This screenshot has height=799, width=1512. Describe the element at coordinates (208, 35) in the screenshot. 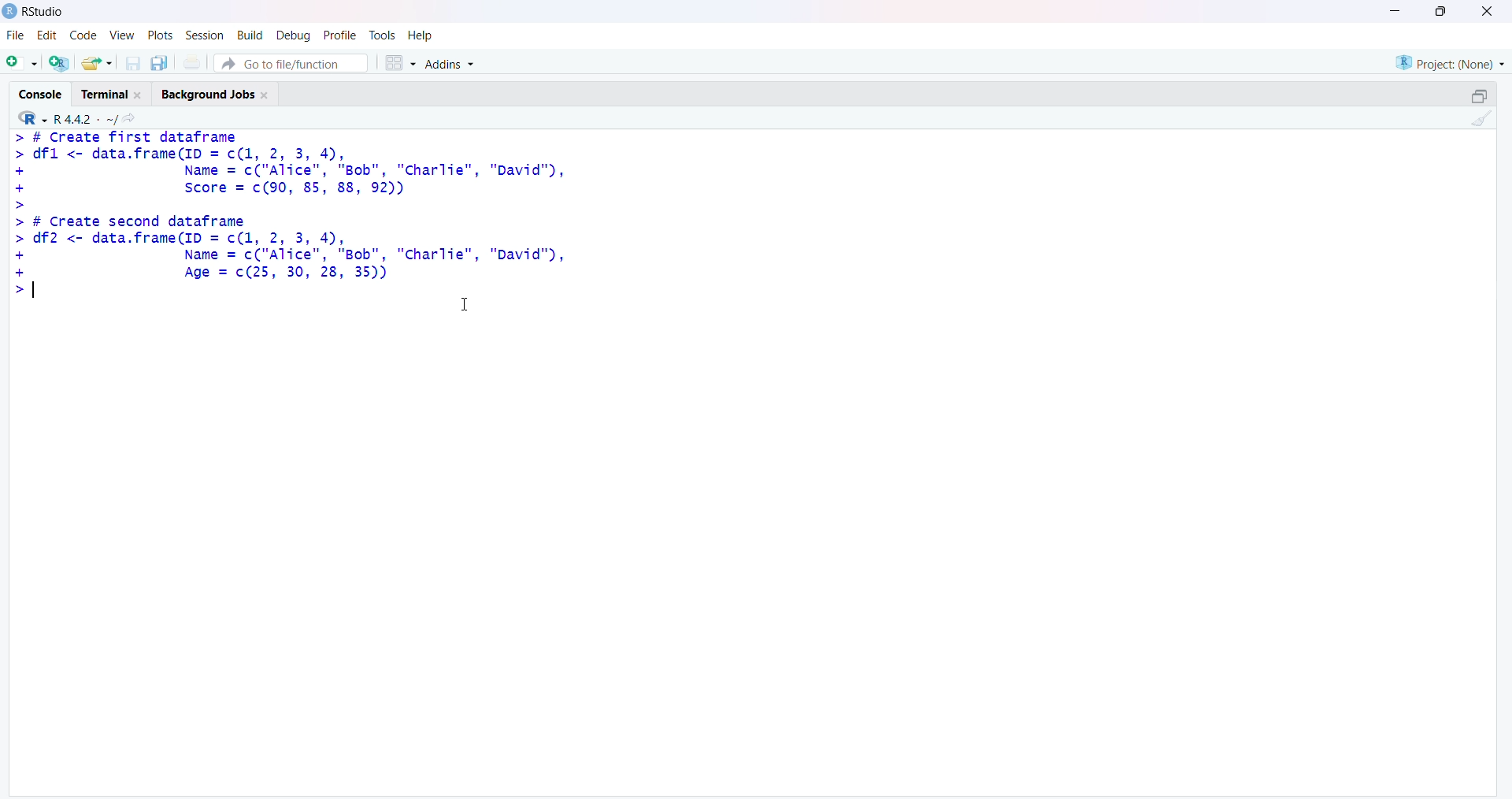

I see `session` at that location.